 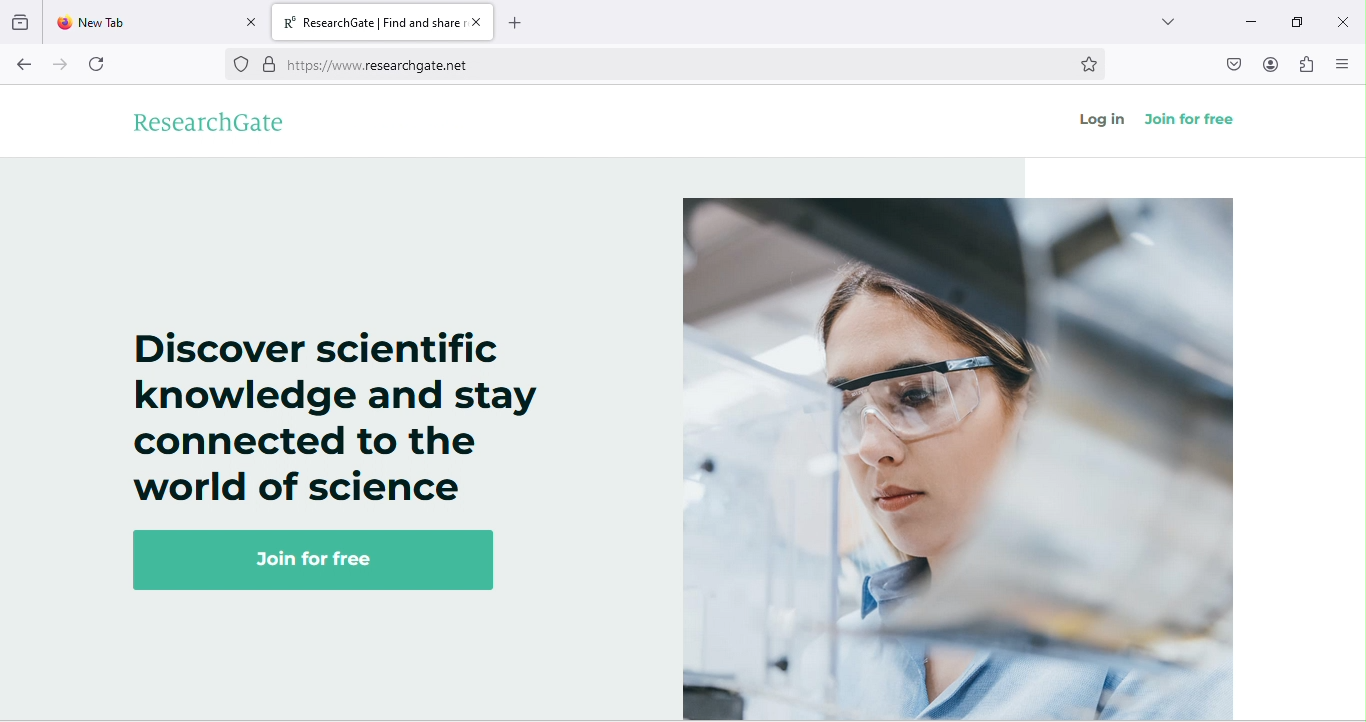 What do you see at coordinates (1201, 113) in the screenshot?
I see `join for free` at bounding box center [1201, 113].